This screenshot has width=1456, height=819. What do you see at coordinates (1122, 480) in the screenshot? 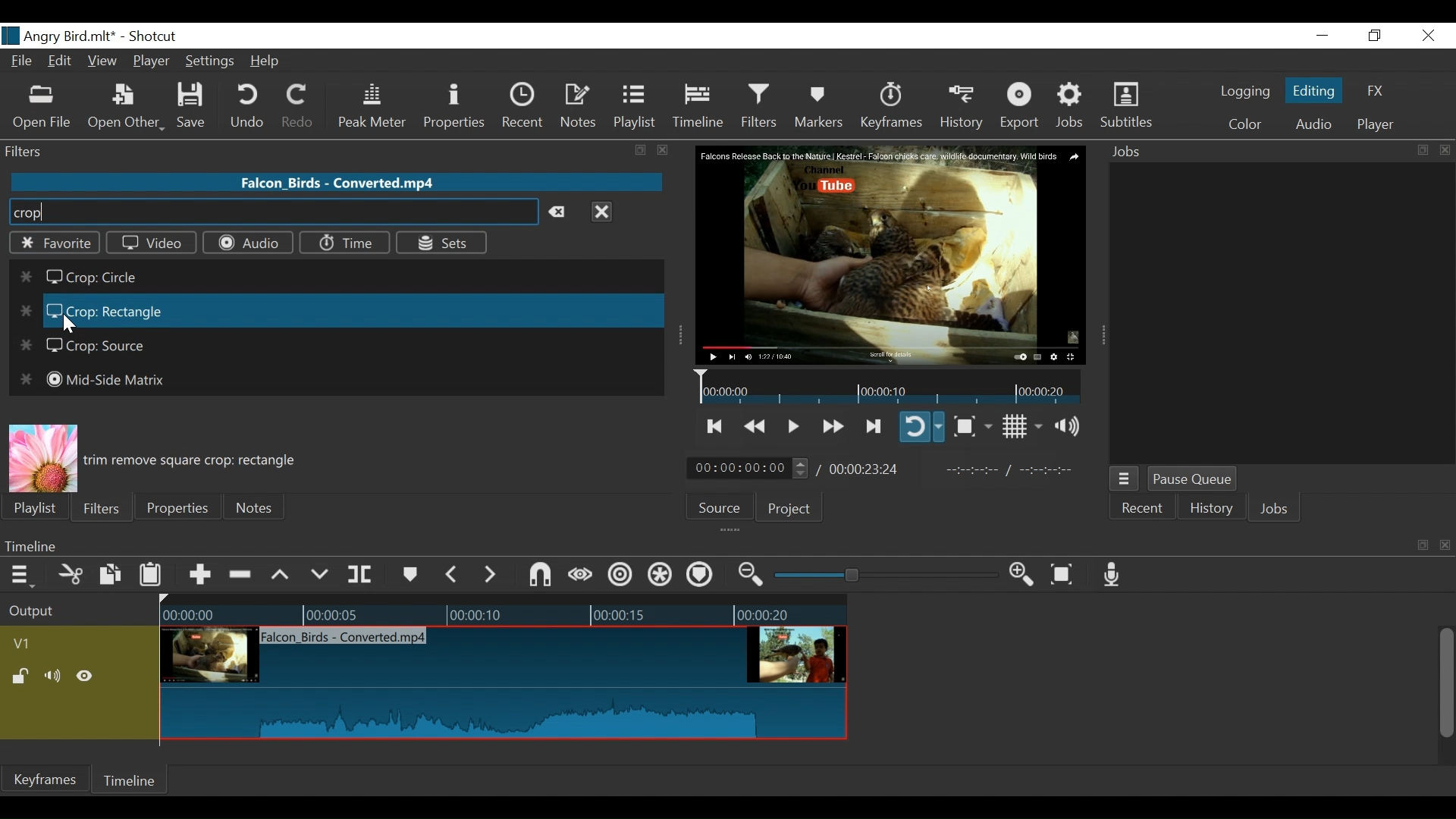
I see `Jobs Menu` at bounding box center [1122, 480].